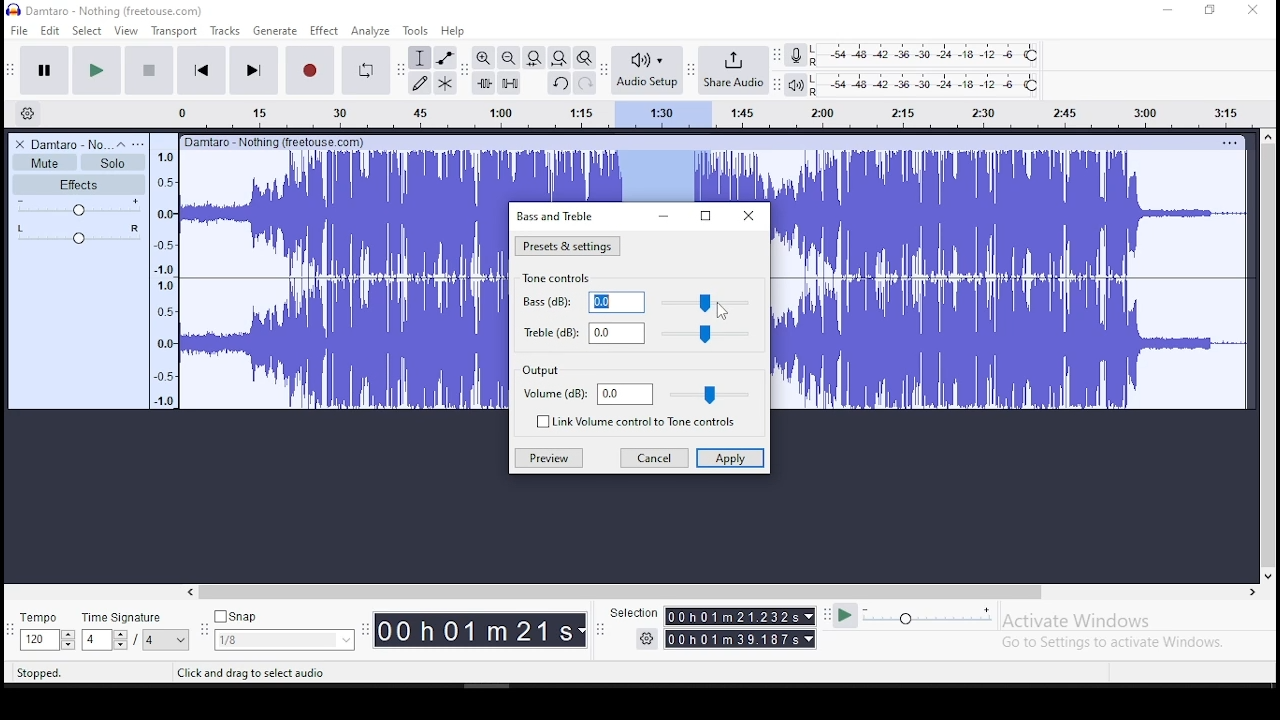 Image resolution: width=1280 pixels, height=720 pixels. What do you see at coordinates (94, 640) in the screenshot?
I see `4` at bounding box center [94, 640].